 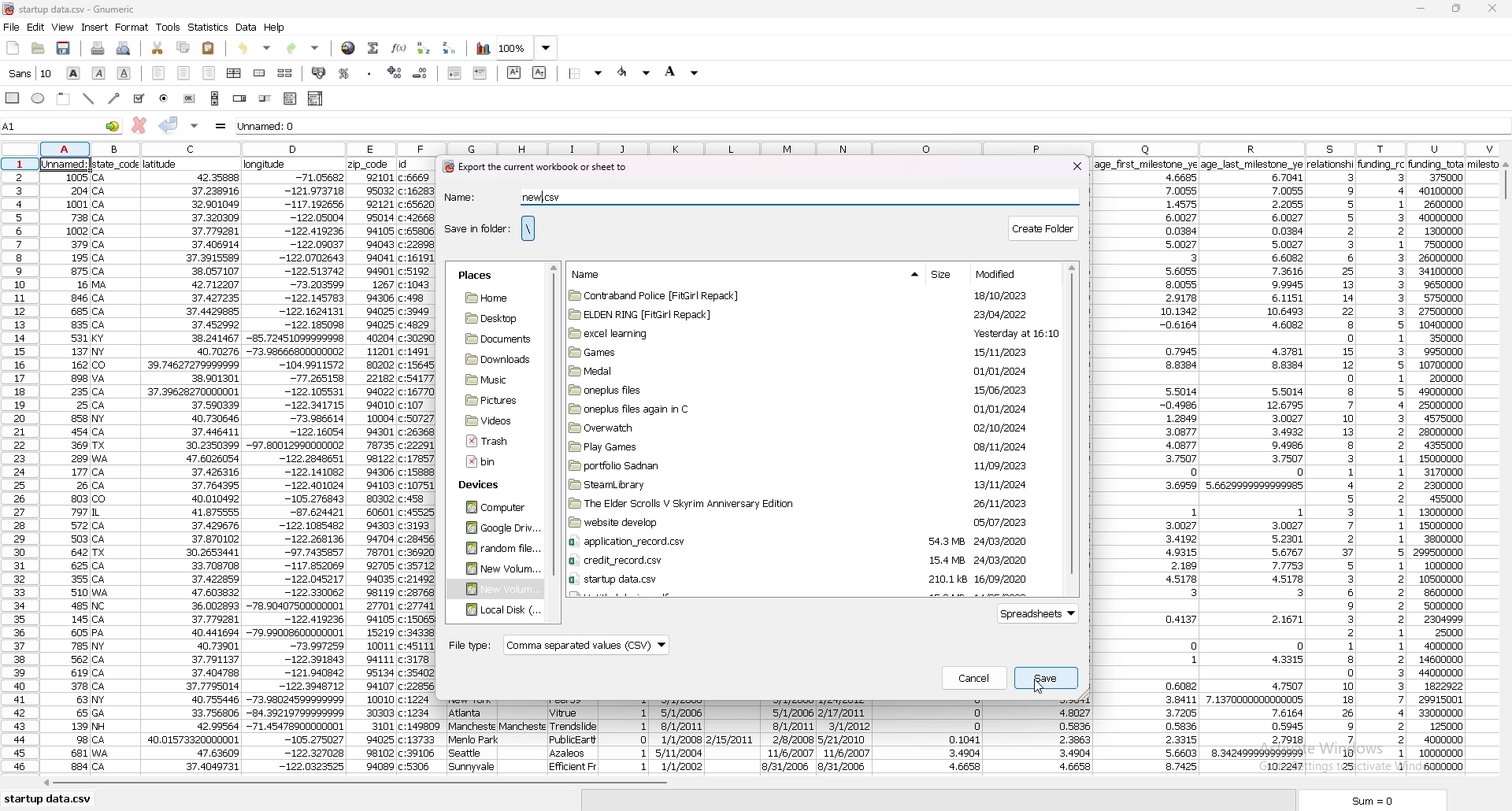 I want to click on STATISTICS, so click(x=209, y=27).